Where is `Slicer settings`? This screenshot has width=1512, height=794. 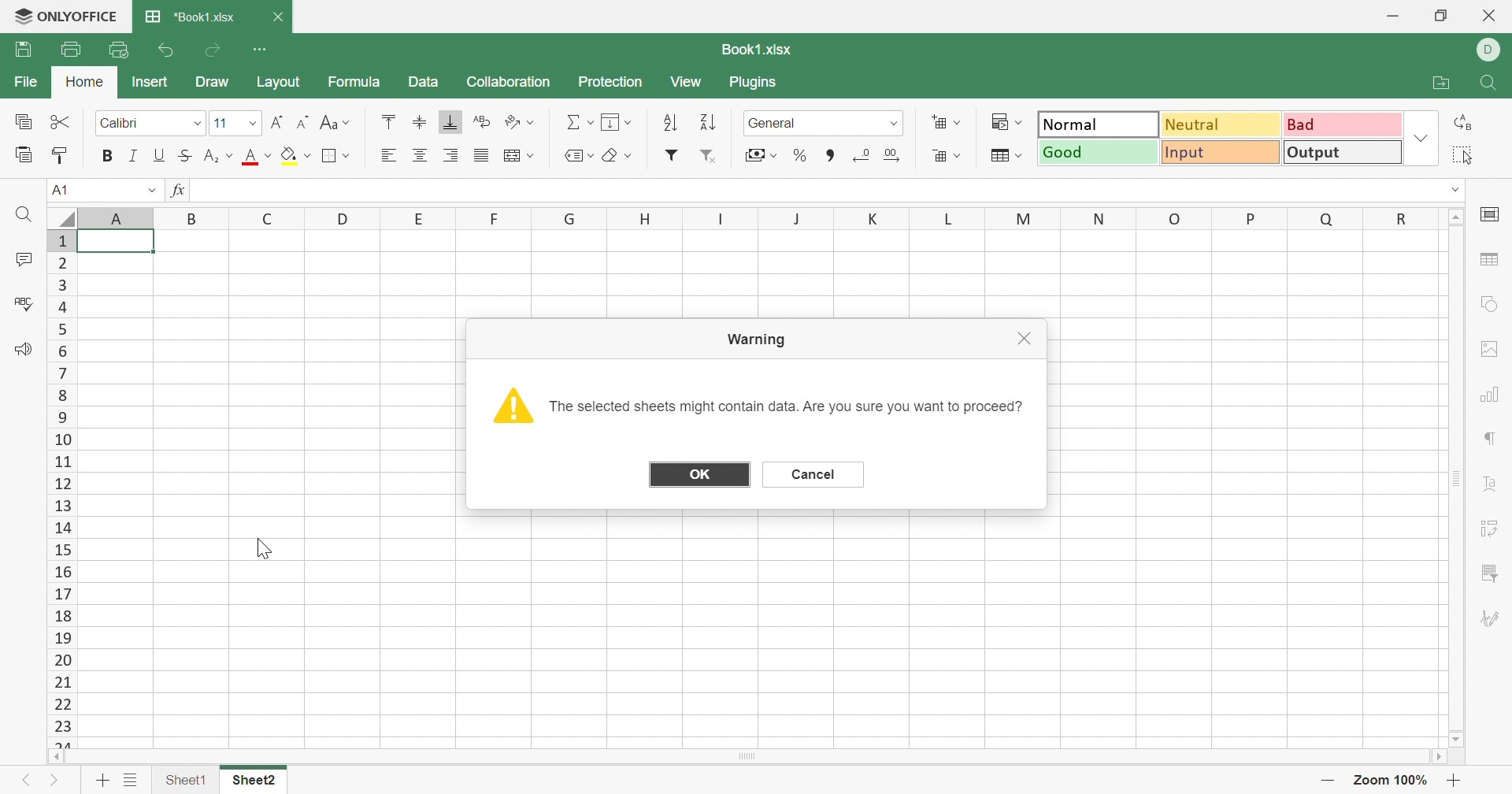 Slicer settings is located at coordinates (1488, 573).